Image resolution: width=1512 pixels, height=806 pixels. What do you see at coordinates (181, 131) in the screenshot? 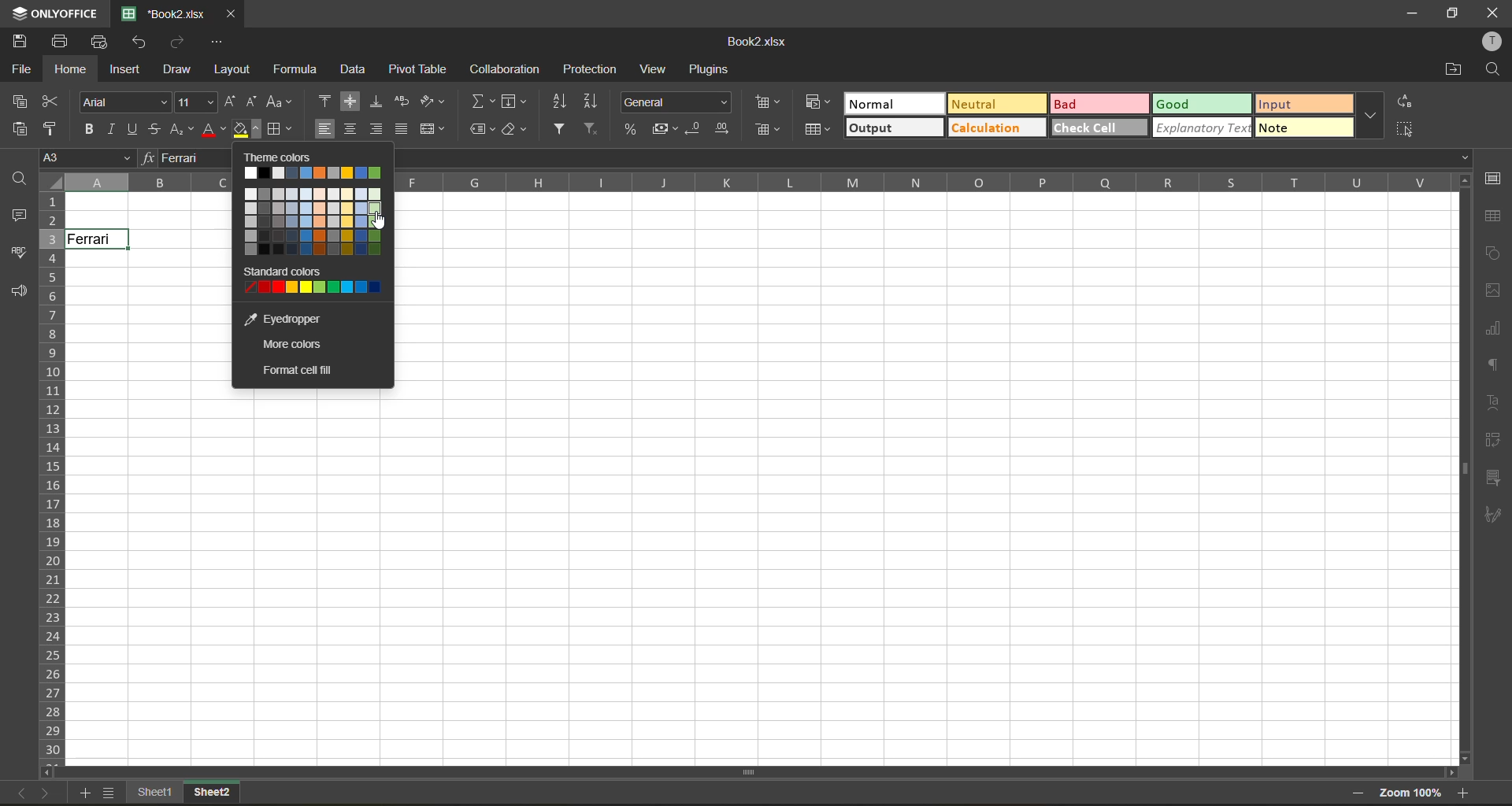
I see `sub/superscript` at bounding box center [181, 131].